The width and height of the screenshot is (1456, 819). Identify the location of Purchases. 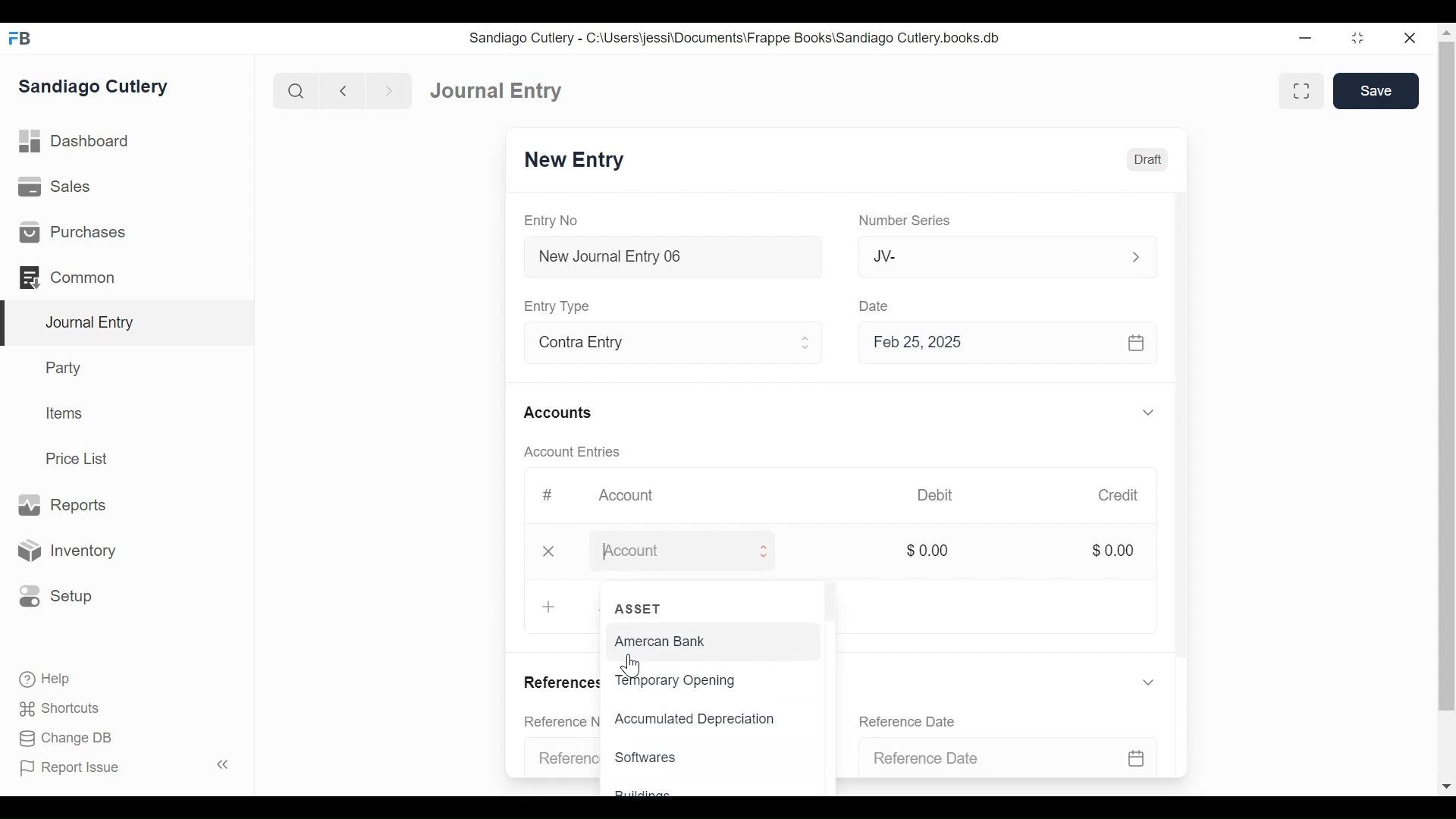
(71, 232).